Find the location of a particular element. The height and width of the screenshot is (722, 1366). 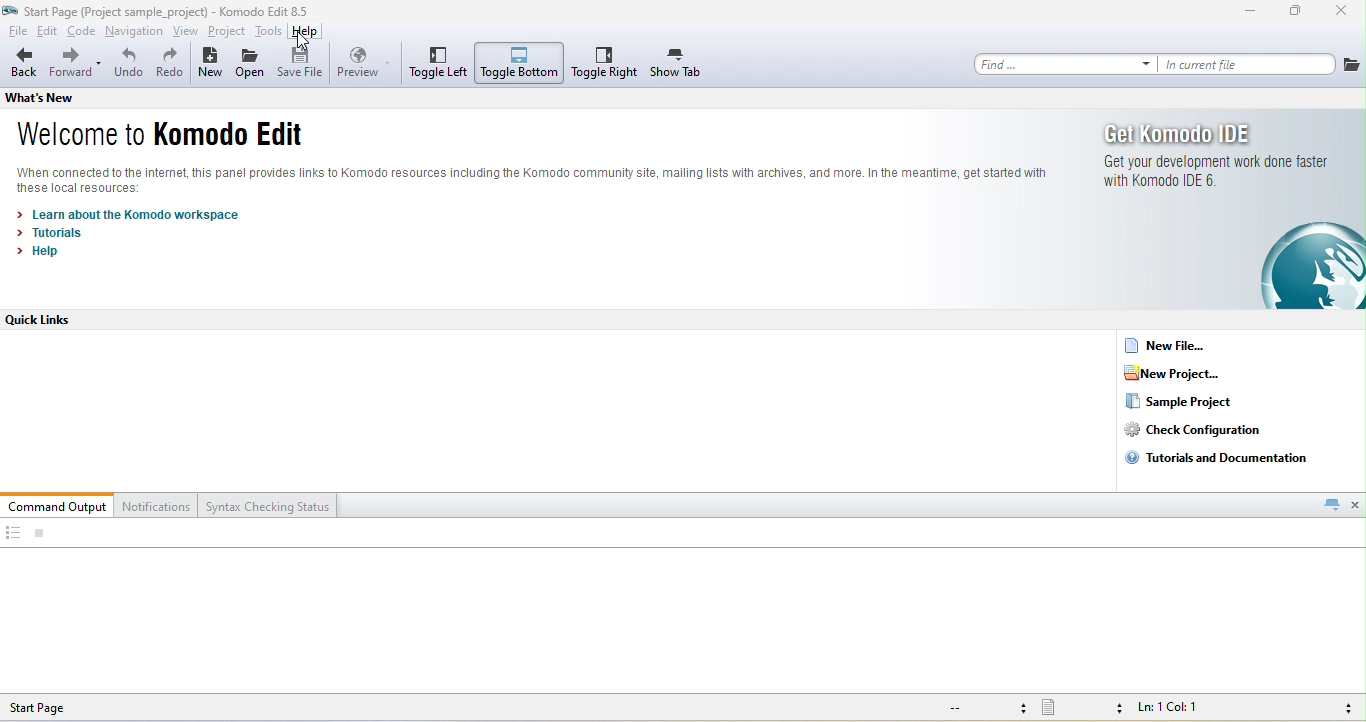

terminate is located at coordinates (40, 534).